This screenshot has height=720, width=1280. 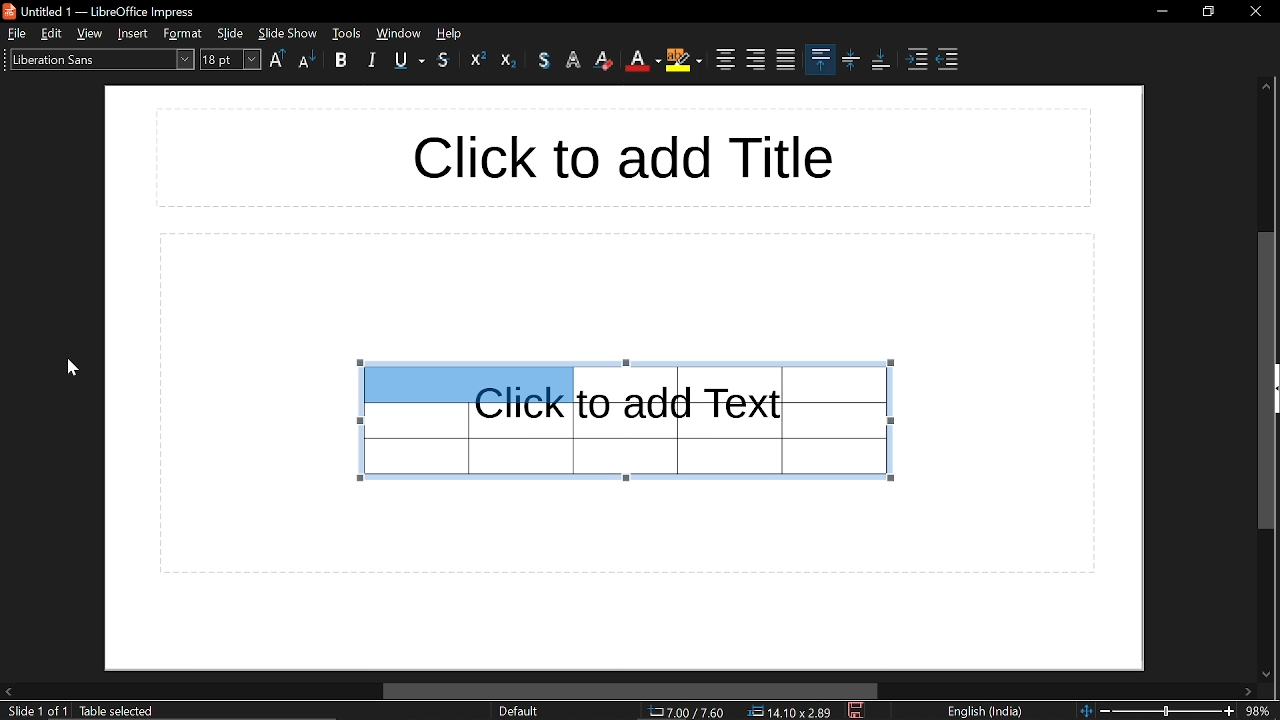 I want to click on format, so click(x=183, y=34).